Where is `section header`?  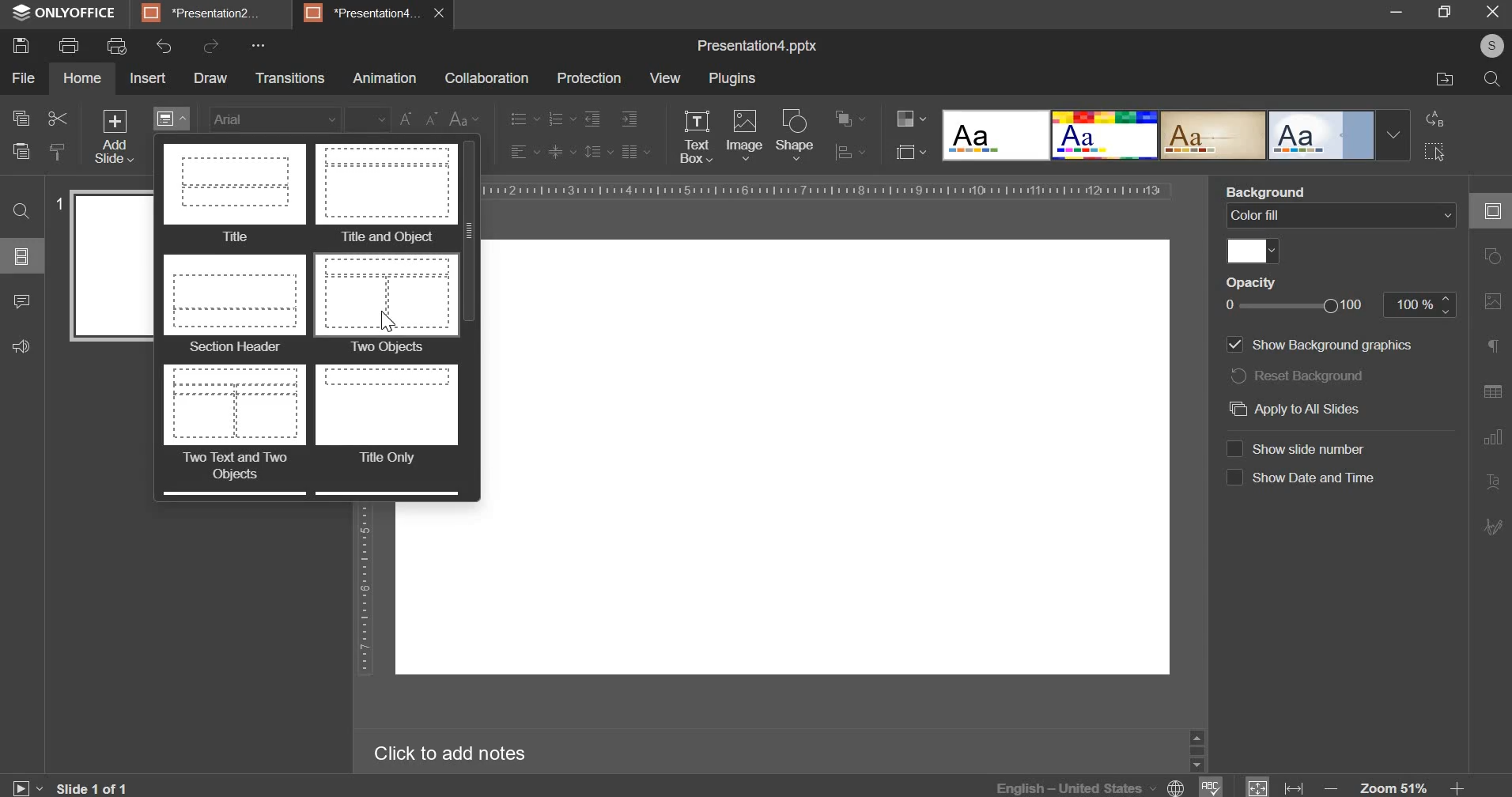 section header is located at coordinates (236, 304).